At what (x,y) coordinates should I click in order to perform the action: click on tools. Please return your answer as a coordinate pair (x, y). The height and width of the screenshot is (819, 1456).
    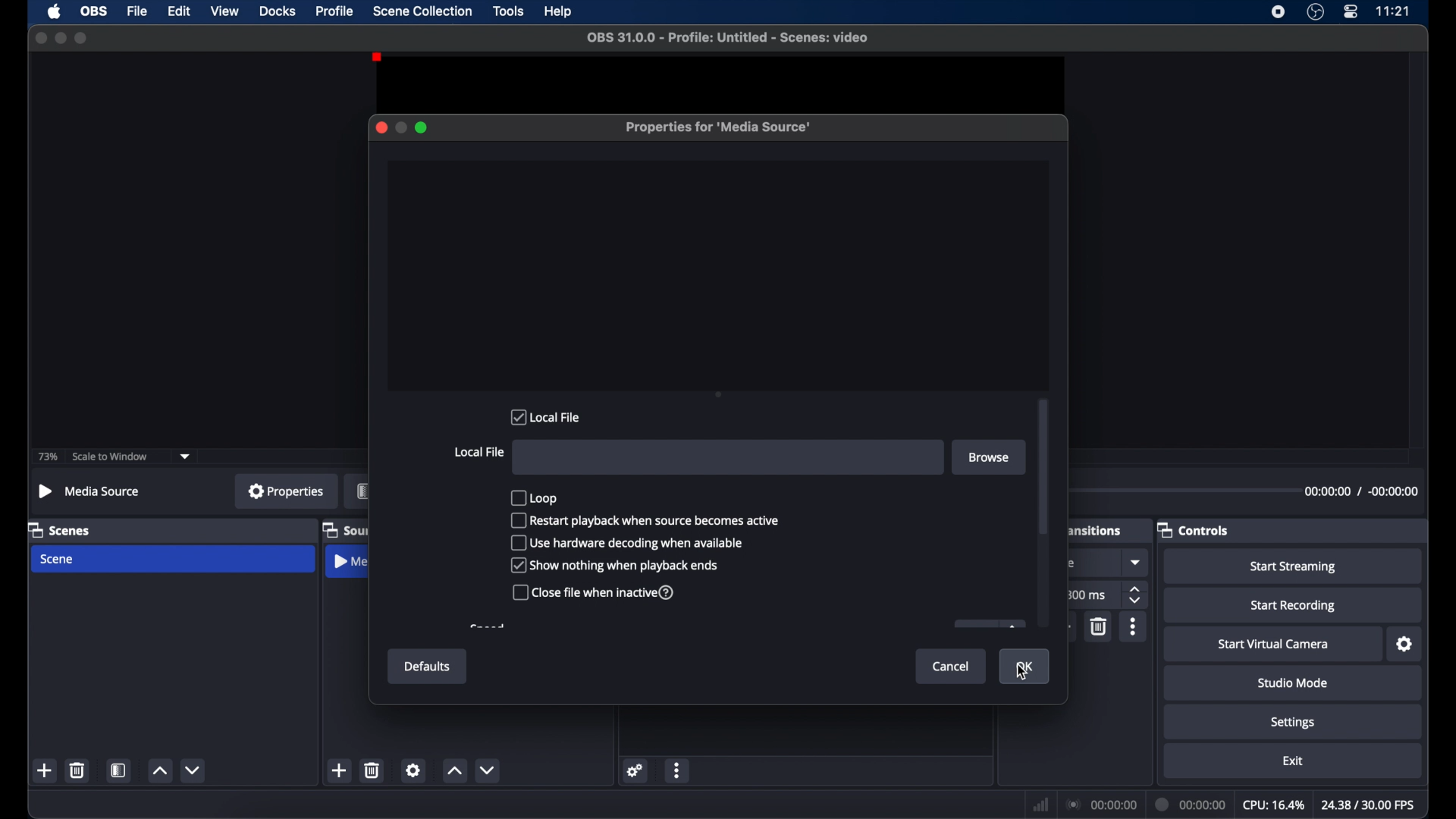
    Looking at the image, I should click on (509, 11).